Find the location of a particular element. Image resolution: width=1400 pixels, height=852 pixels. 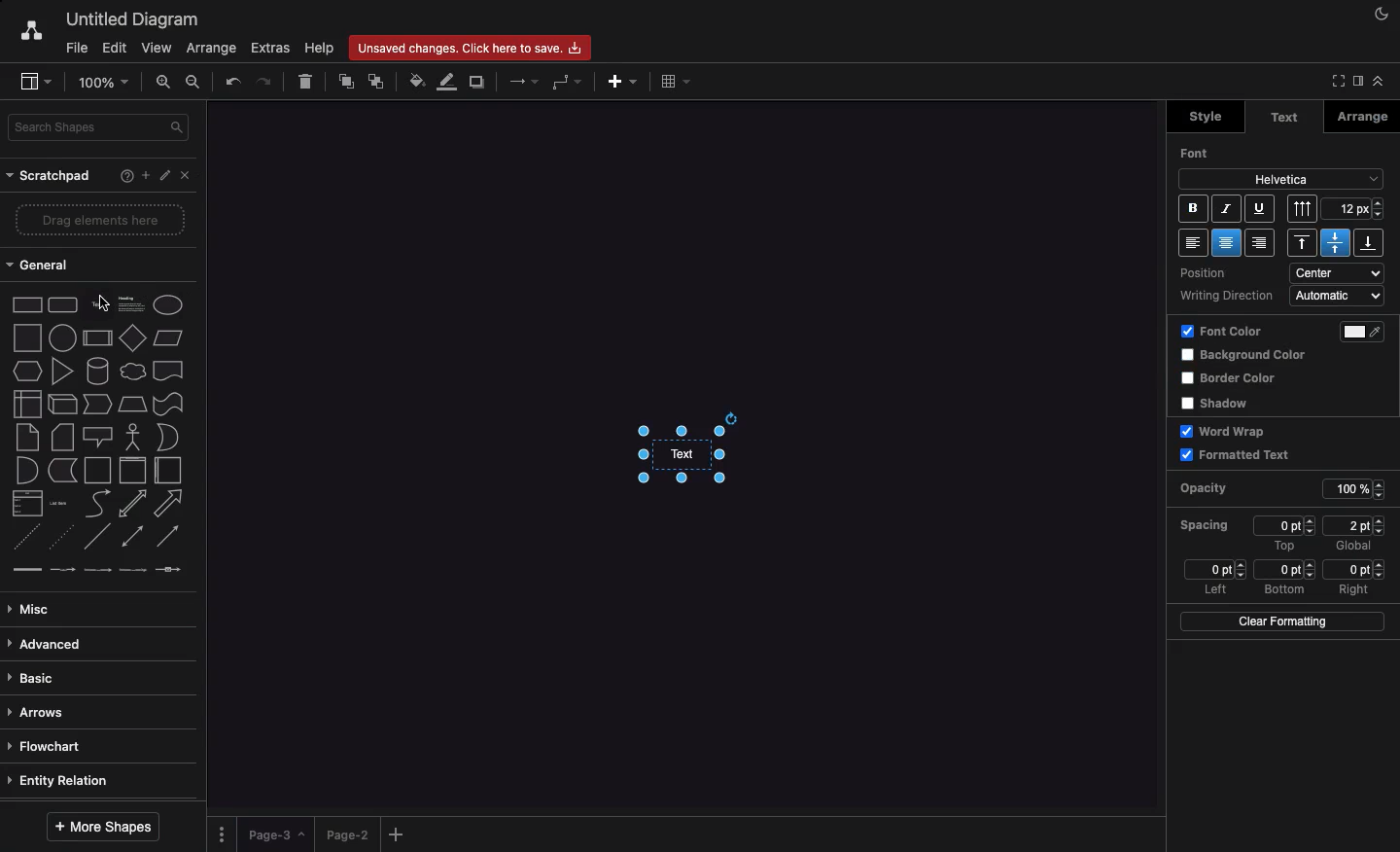

list is located at coordinates (28, 503).